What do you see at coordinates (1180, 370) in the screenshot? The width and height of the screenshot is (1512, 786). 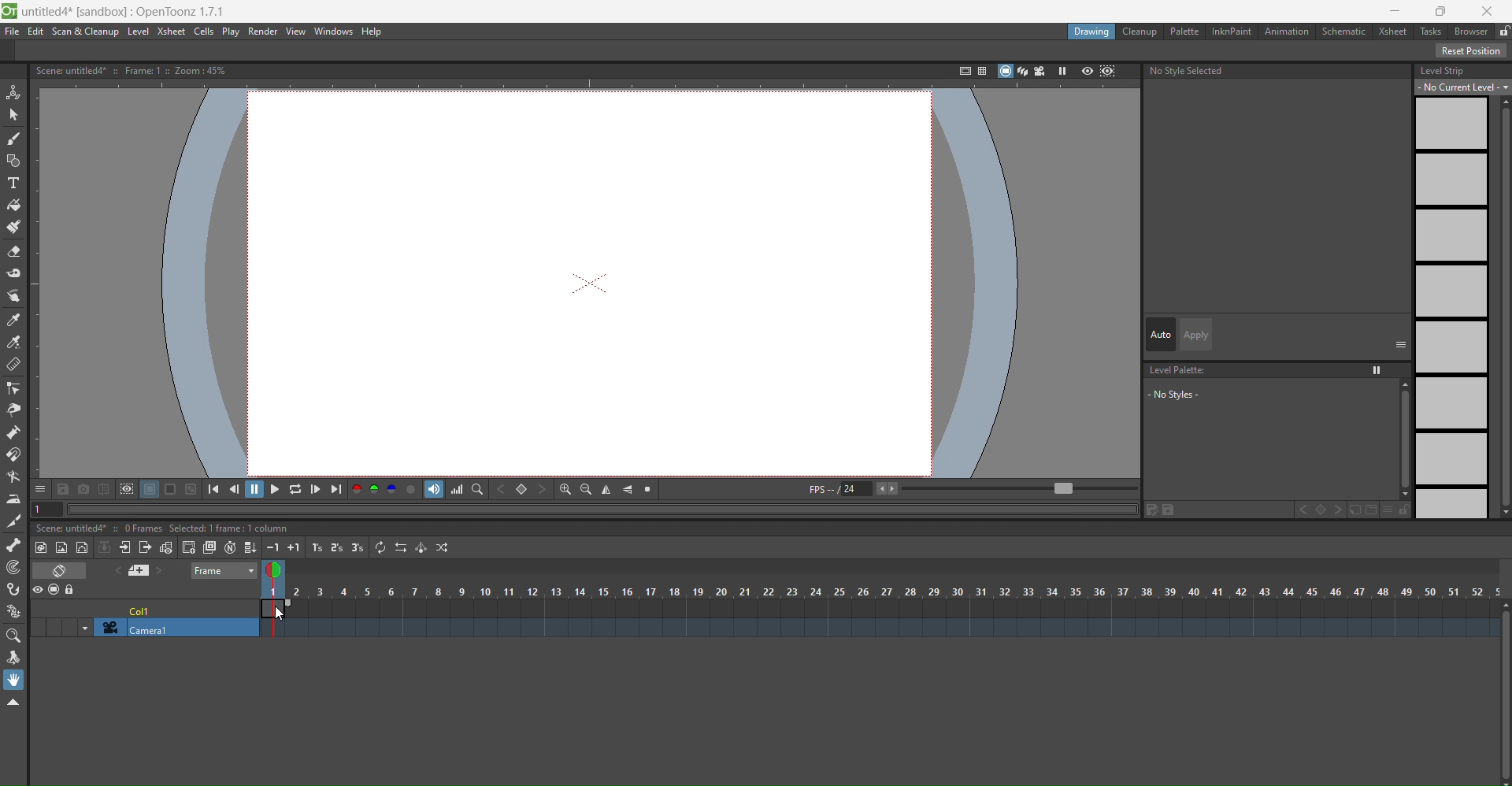 I see `level palette` at bounding box center [1180, 370].